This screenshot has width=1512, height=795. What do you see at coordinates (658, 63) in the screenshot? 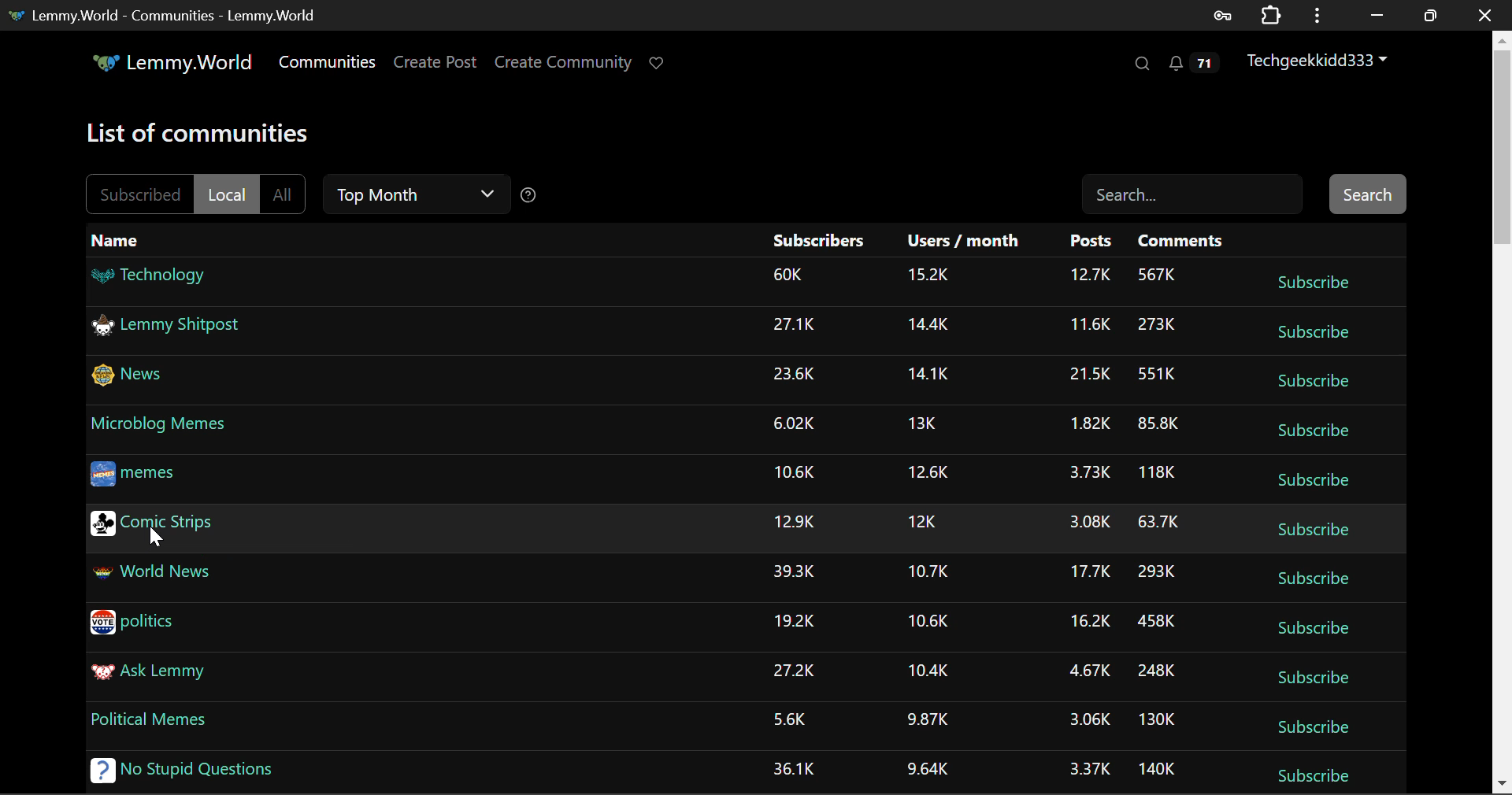
I see `Donate Page Link` at bounding box center [658, 63].